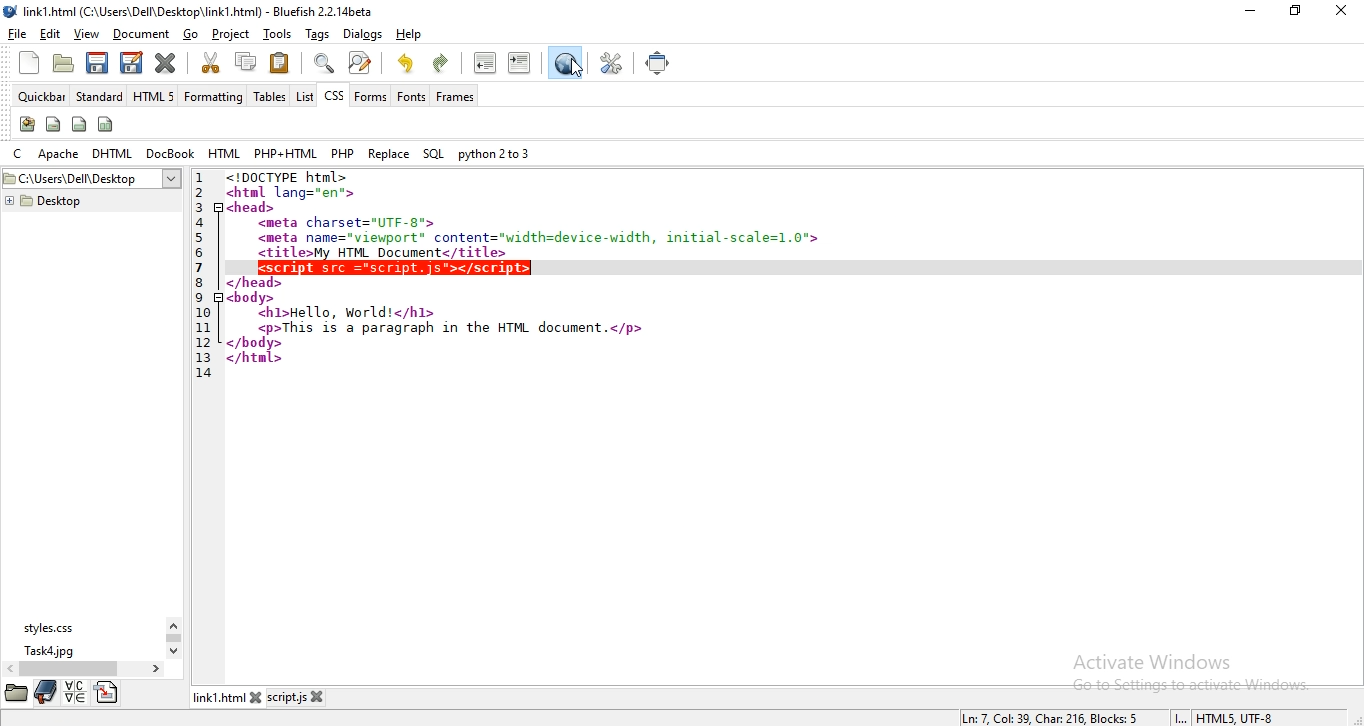 This screenshot has width=1364, height=726. I want to click on save current file, so click(96, 64).